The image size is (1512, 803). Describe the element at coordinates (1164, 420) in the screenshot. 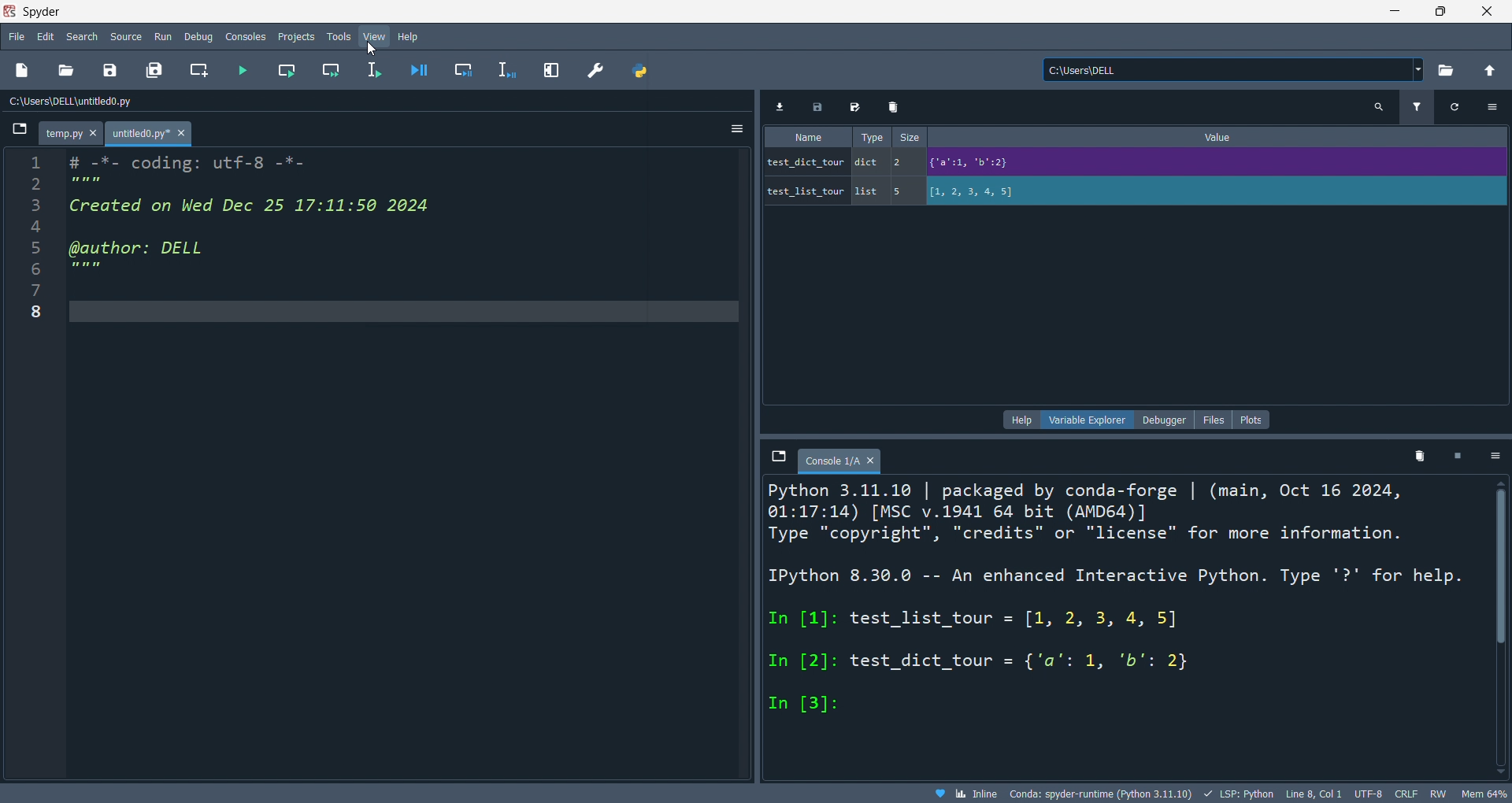

I see `debugger` at that location.